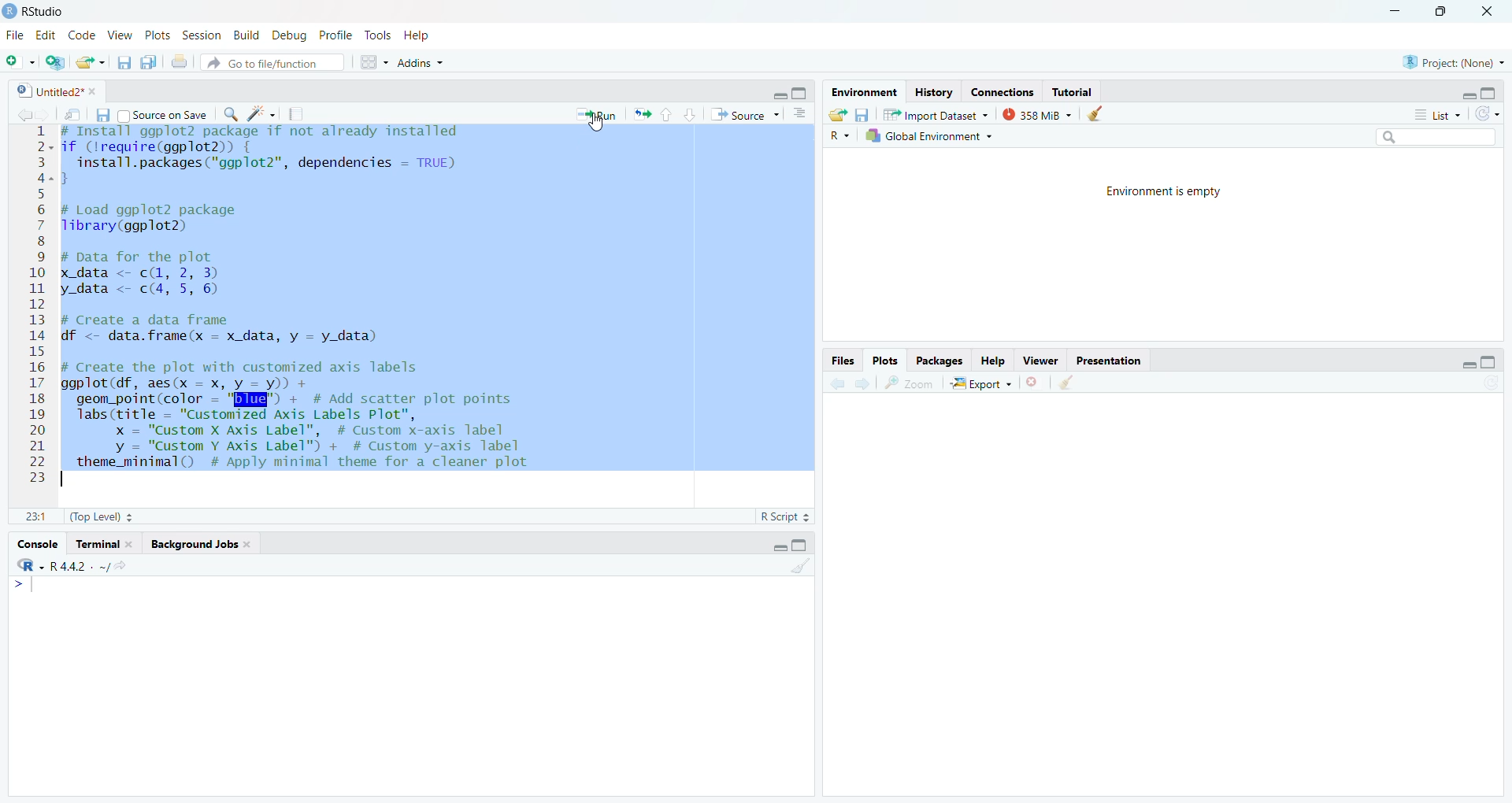 This screenshot has width=1512, height=803. What do you see at coordinates (378, 35) in the screenshot?
I see `Tools` at bounding box center [378, 35].